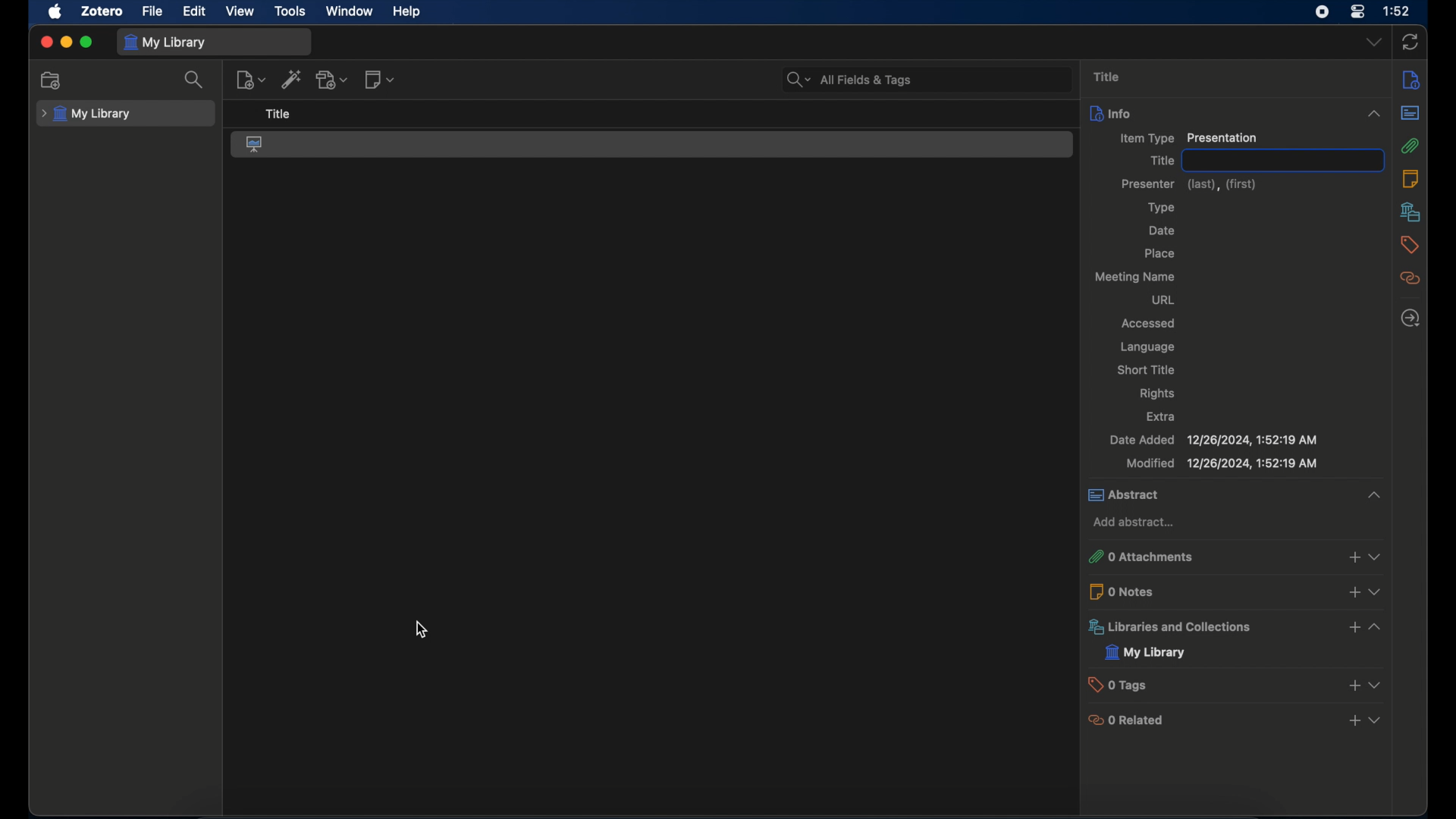 Image resolution: width=1456 pixels, height=819 pixels. Describe the element at coordinates (1410, 179) in the screenshot. I see `notes` at that location.